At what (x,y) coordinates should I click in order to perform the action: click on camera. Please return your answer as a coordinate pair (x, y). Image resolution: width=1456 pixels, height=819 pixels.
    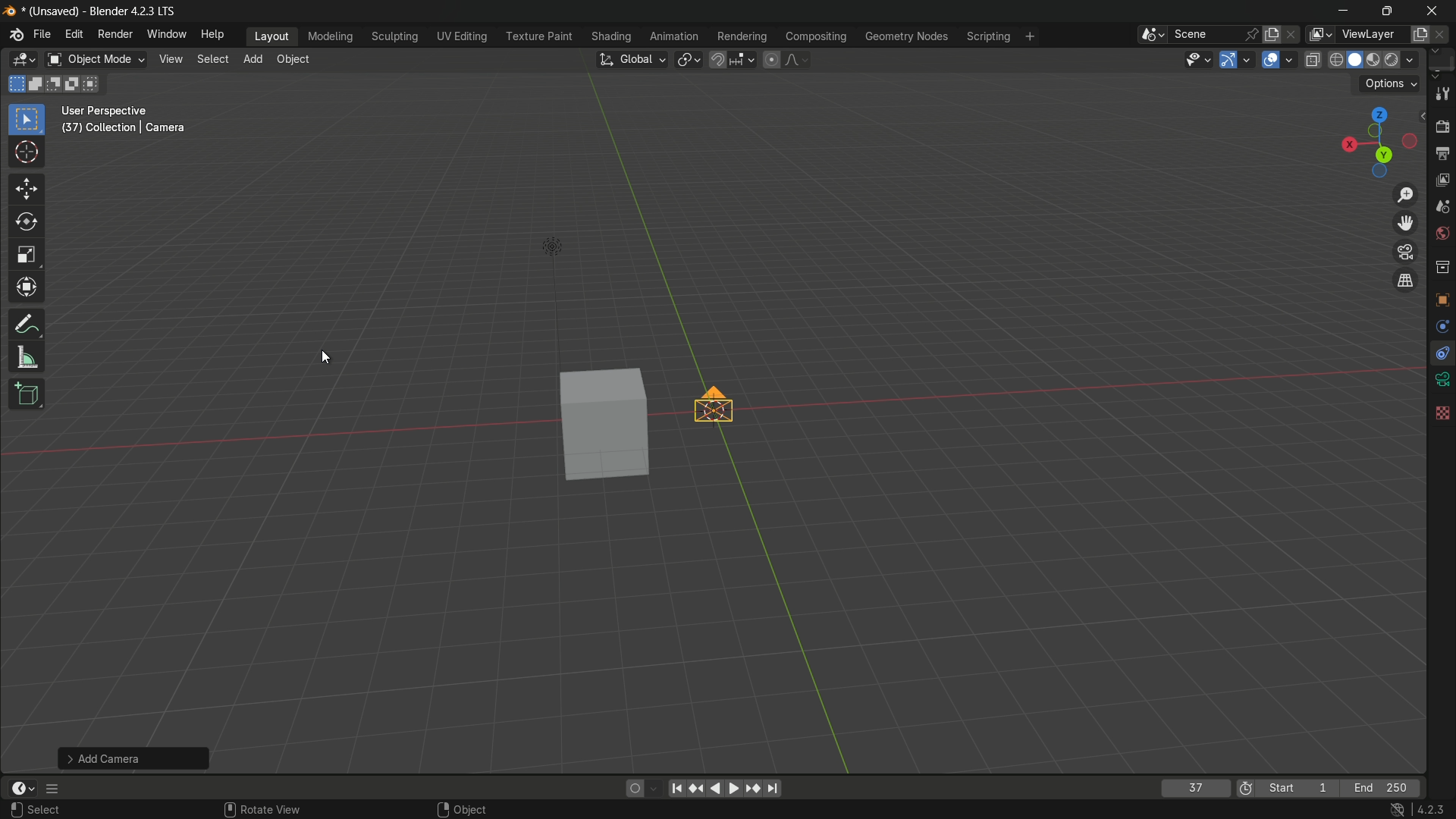
    Looking at the image, I should click on (720, 404).